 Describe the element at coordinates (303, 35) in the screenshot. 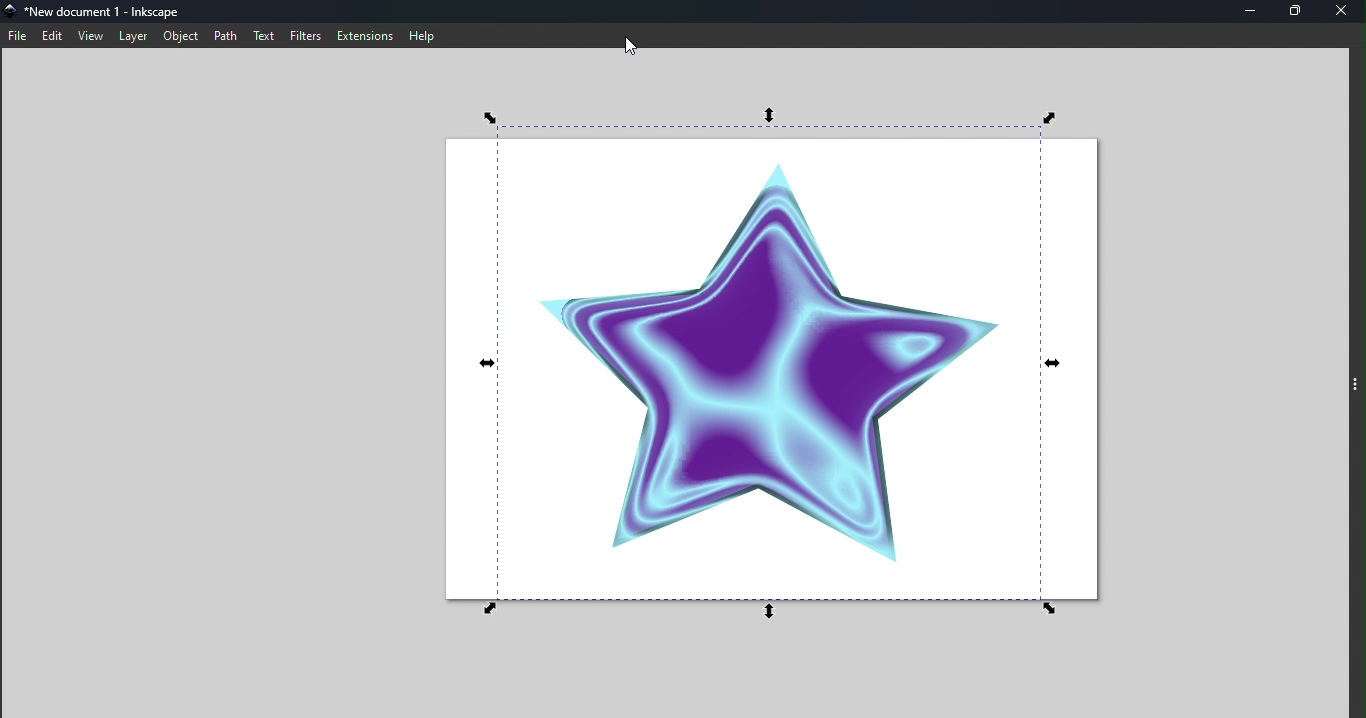

I see `Filters` at that location.